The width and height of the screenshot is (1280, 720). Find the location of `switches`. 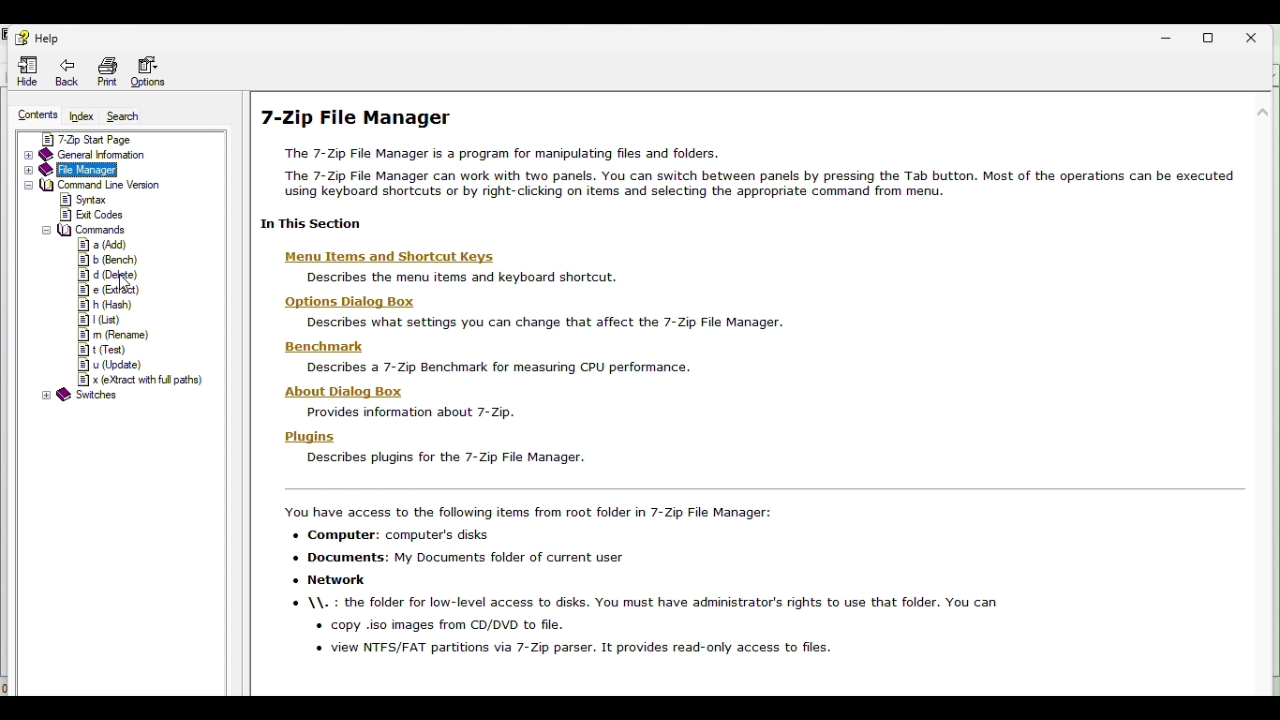

switches is located at coordinates (92, 396).